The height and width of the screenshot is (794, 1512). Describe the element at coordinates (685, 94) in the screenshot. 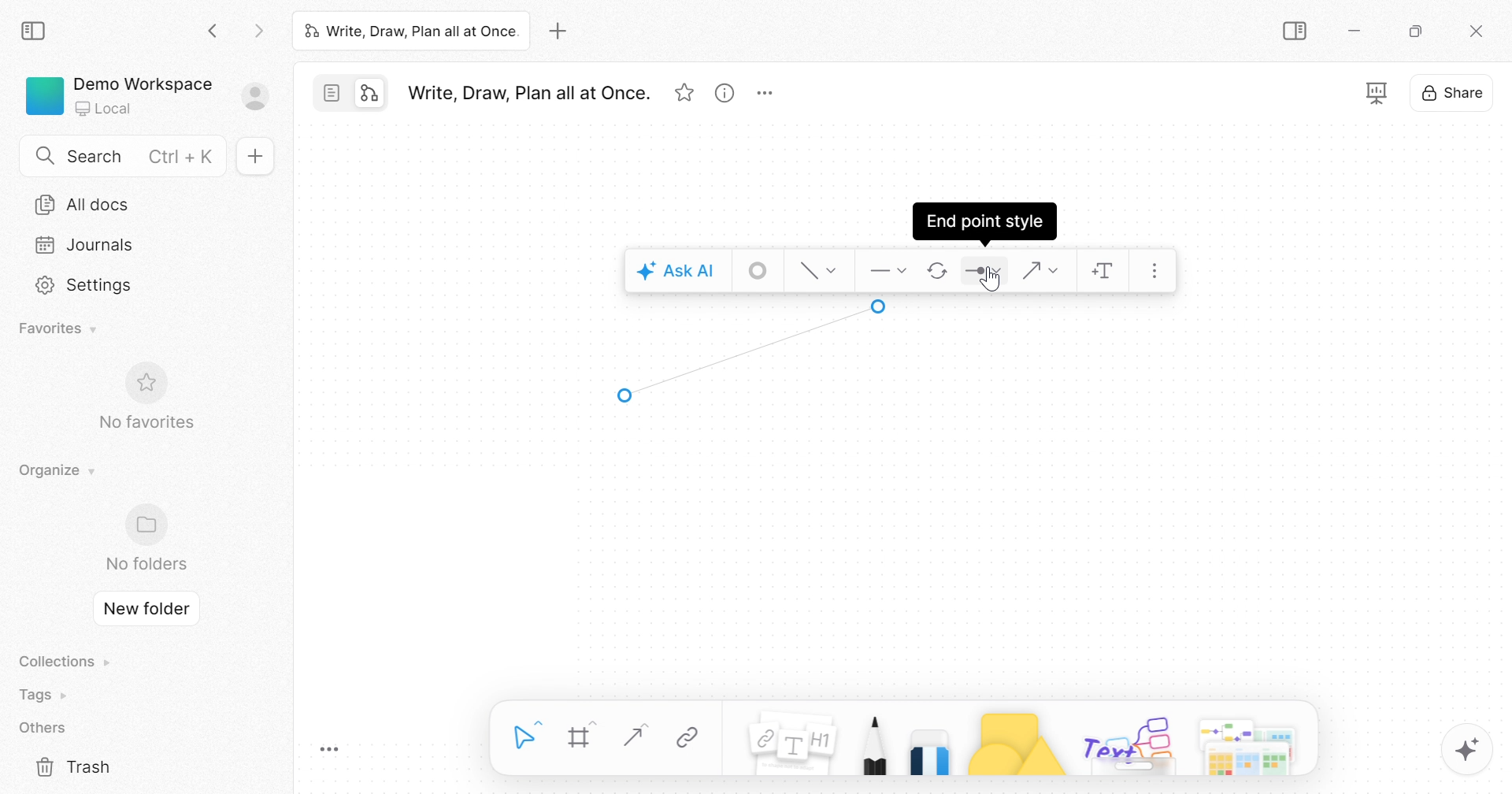

I see `Favorites` at that location.